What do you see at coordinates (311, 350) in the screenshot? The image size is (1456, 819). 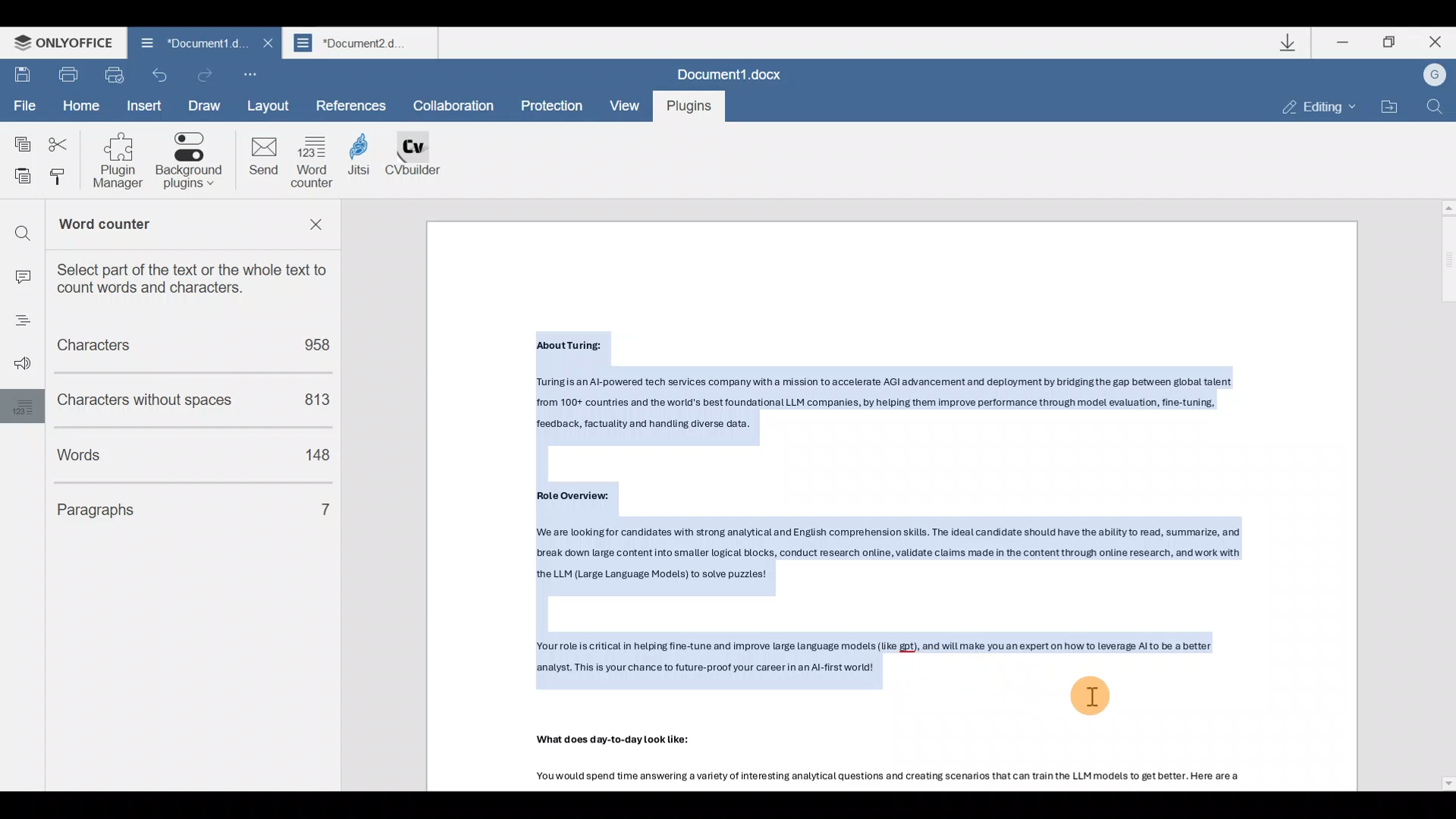 I see `958` at bounding box center [311, 350].